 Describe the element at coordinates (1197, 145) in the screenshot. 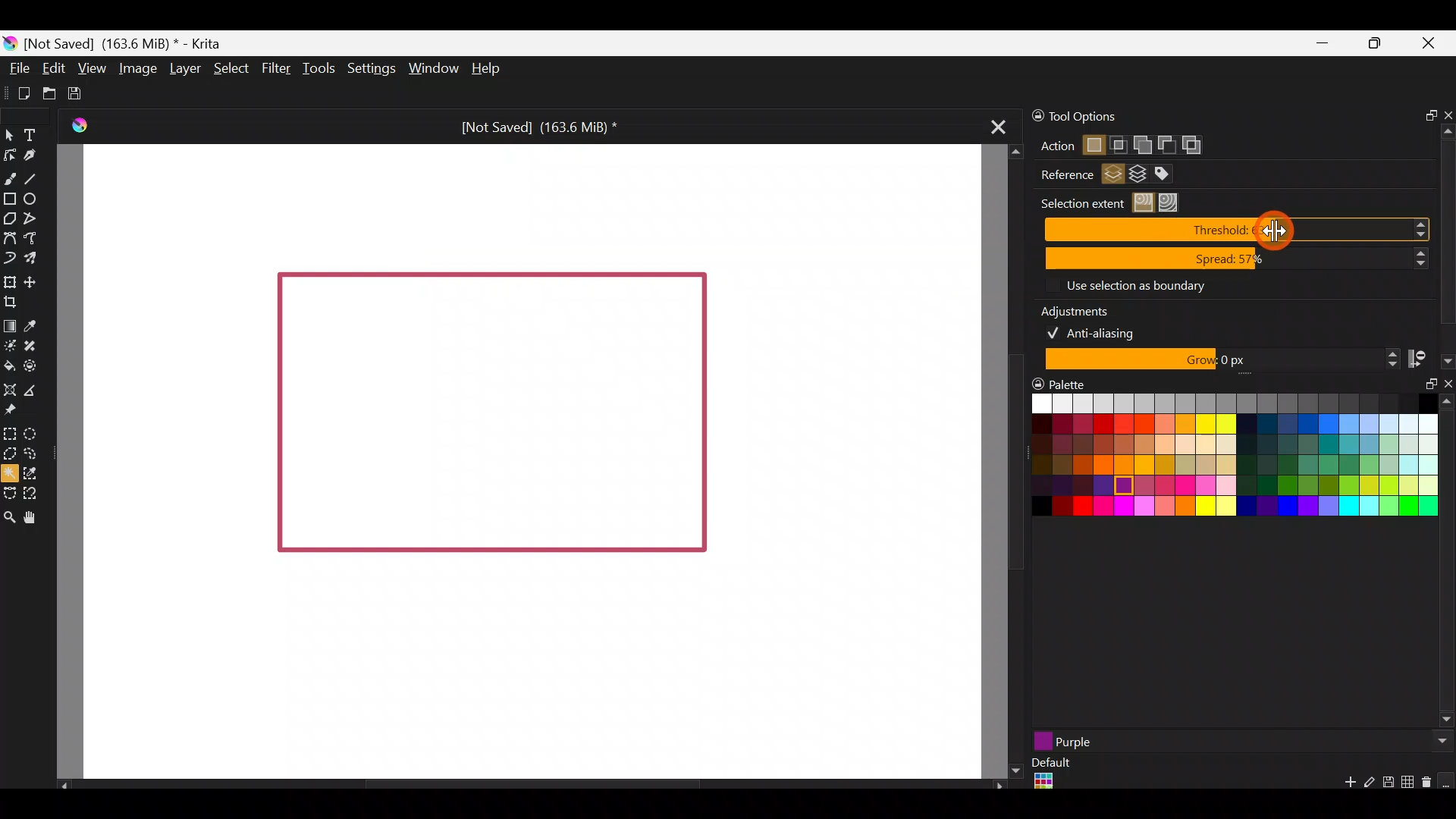

I see `Symmetric difference` at that location.